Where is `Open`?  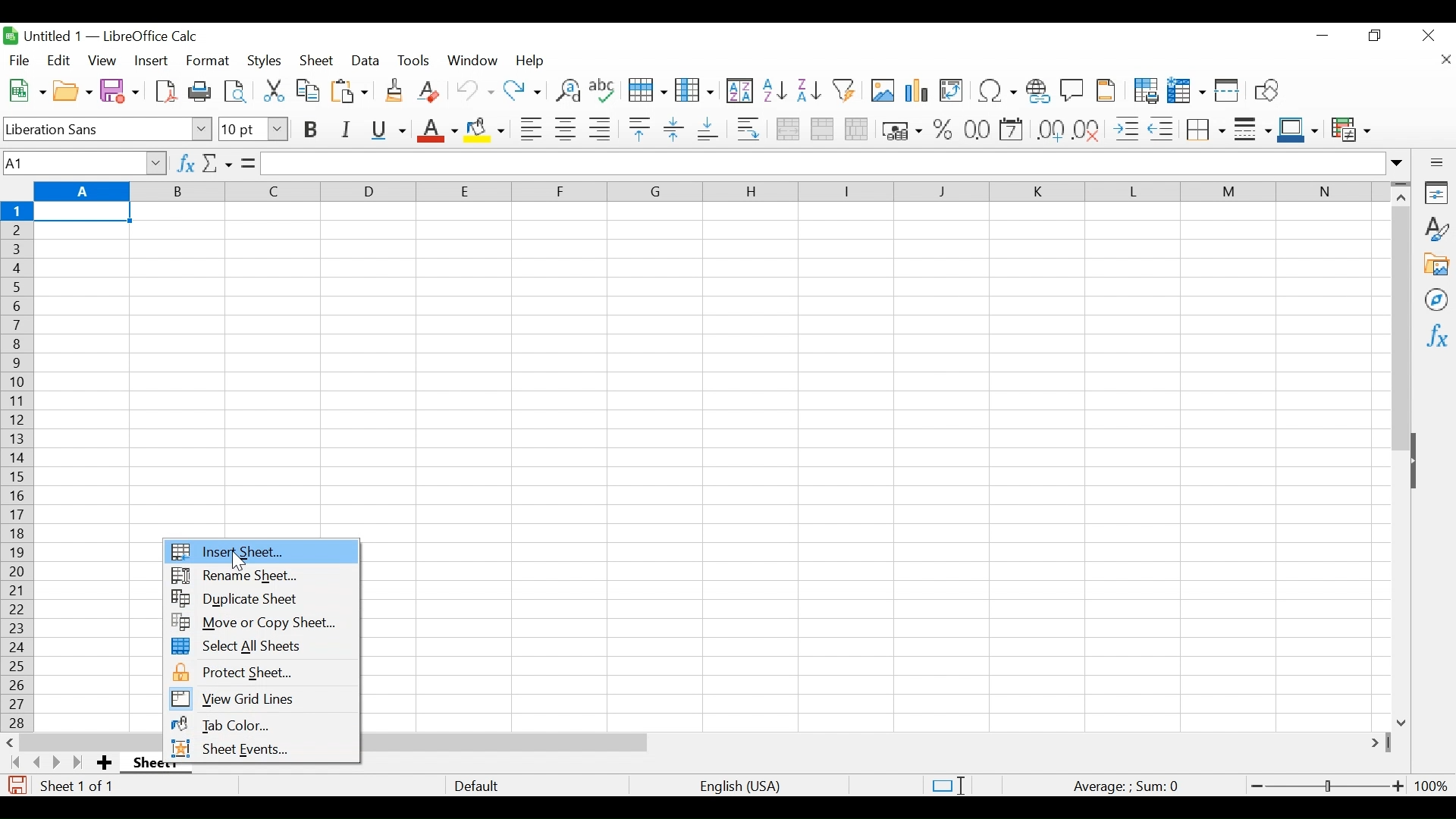 Open is located at coordinates (74, 90).